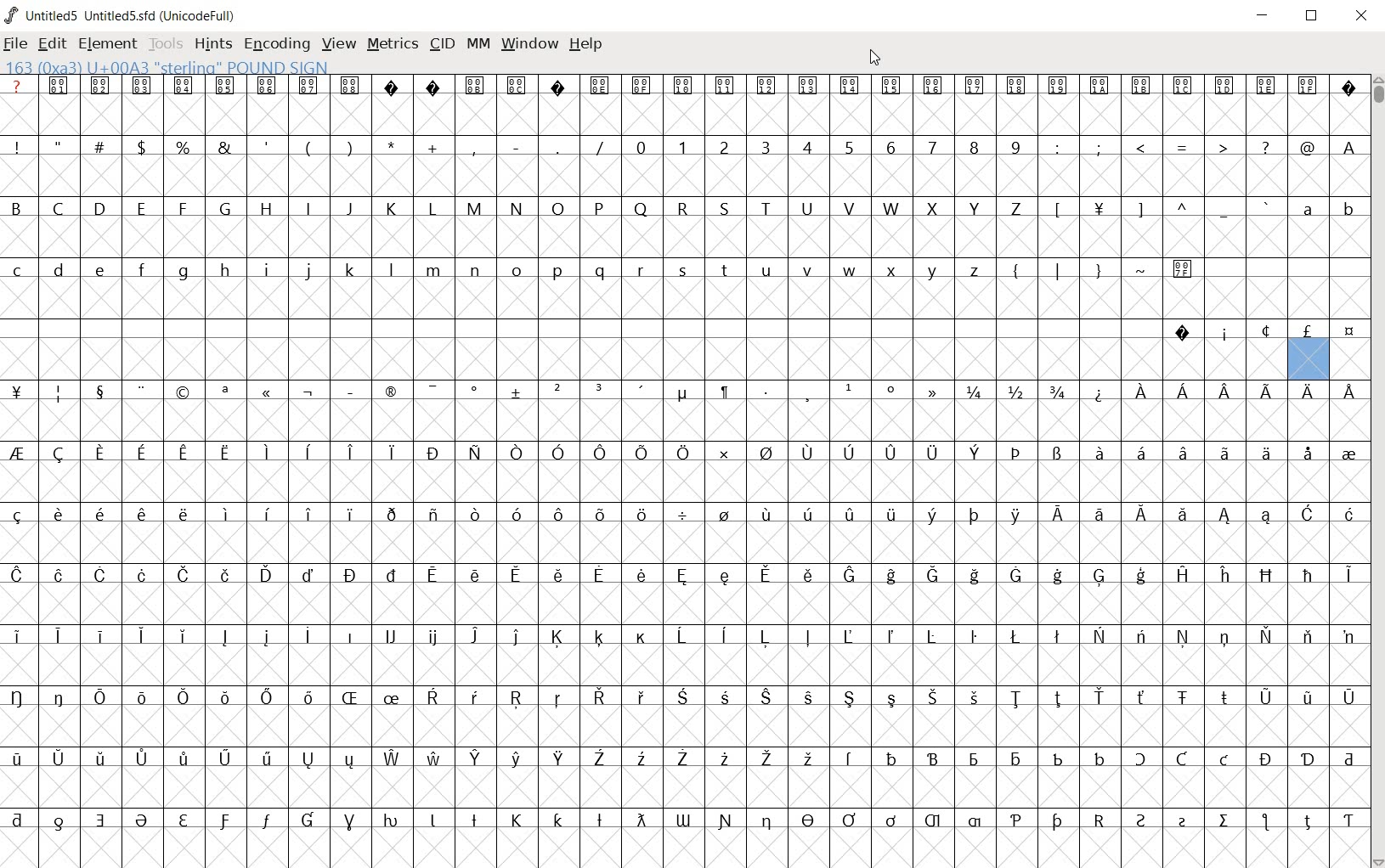 The height and width of the screenshot is (868, 1385). Describe the element at coordinates (1058, 638) in the screenshot. I see `Symbol` at that location.